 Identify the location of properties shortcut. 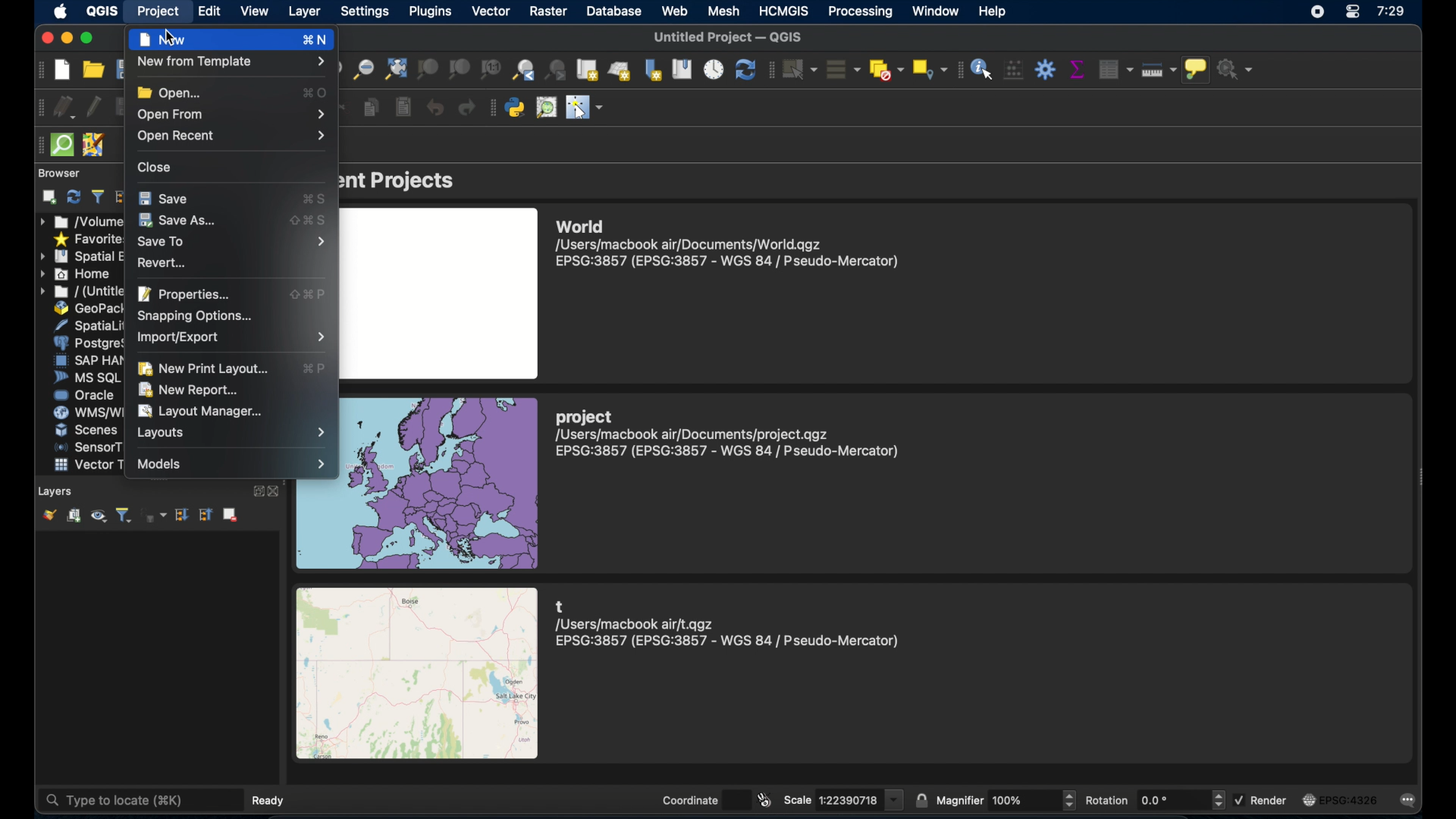
(308, 294).